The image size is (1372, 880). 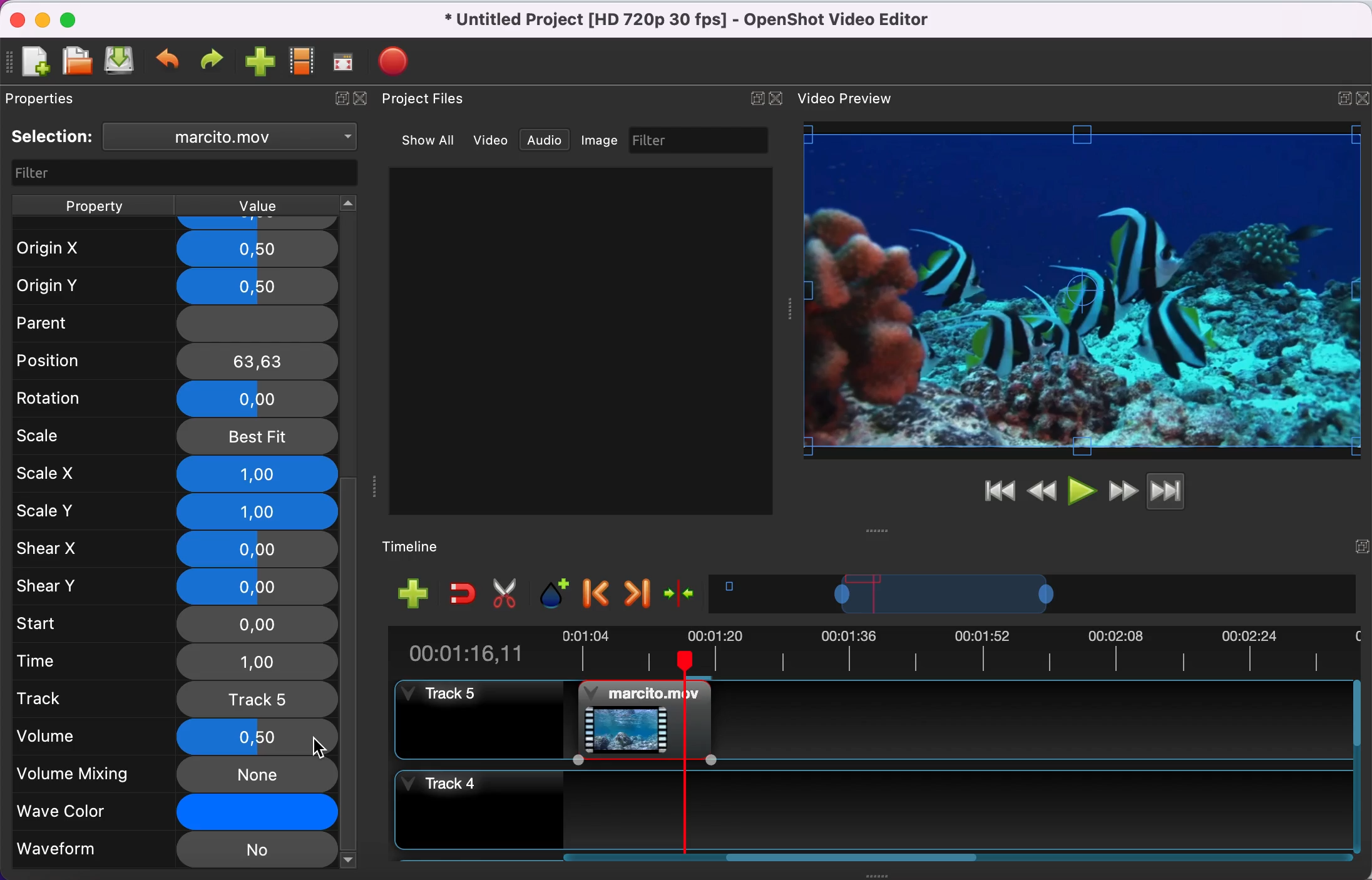 I want to click on wave color, so click(x=171, y=812).